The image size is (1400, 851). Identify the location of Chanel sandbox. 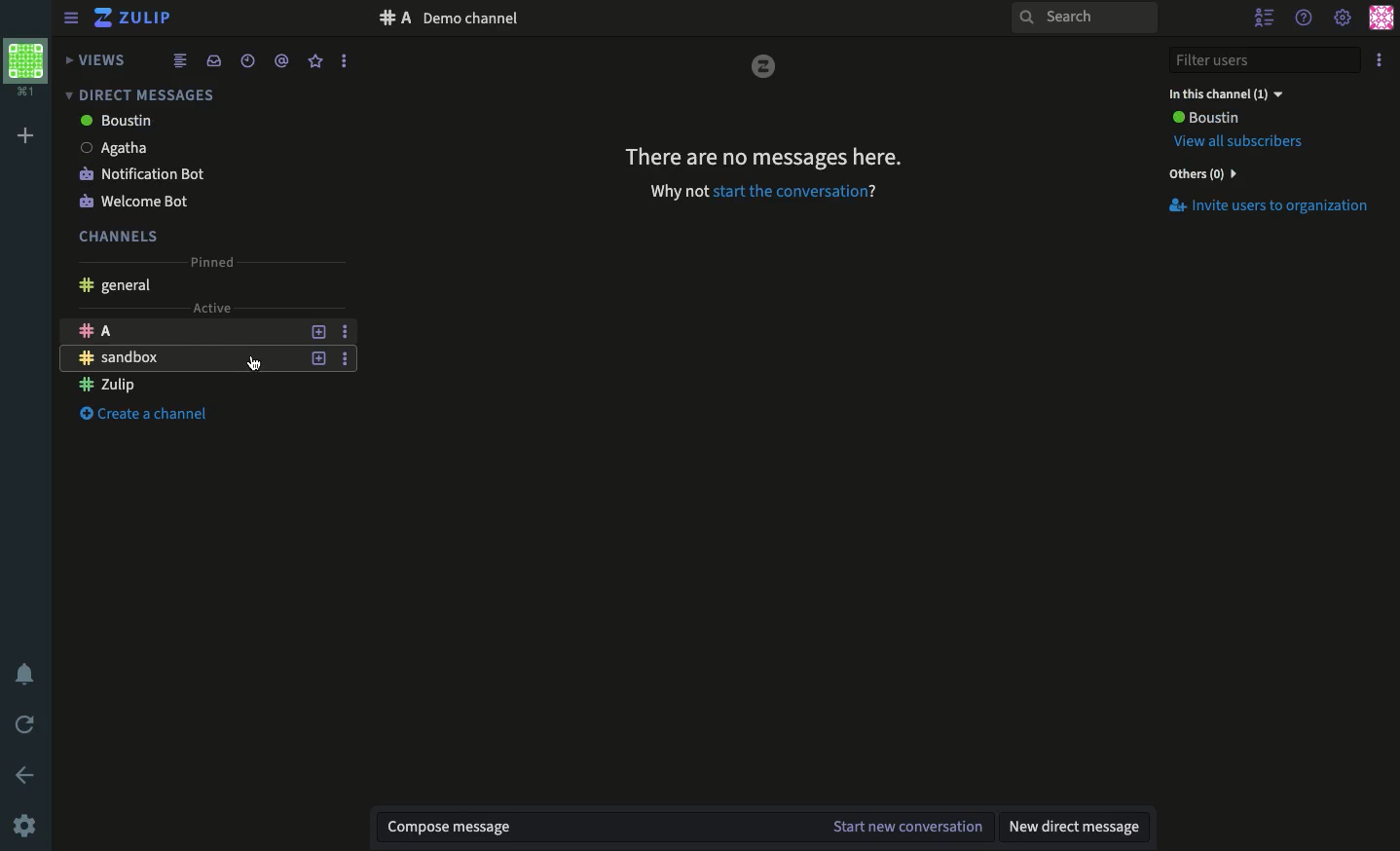
(185, 357).